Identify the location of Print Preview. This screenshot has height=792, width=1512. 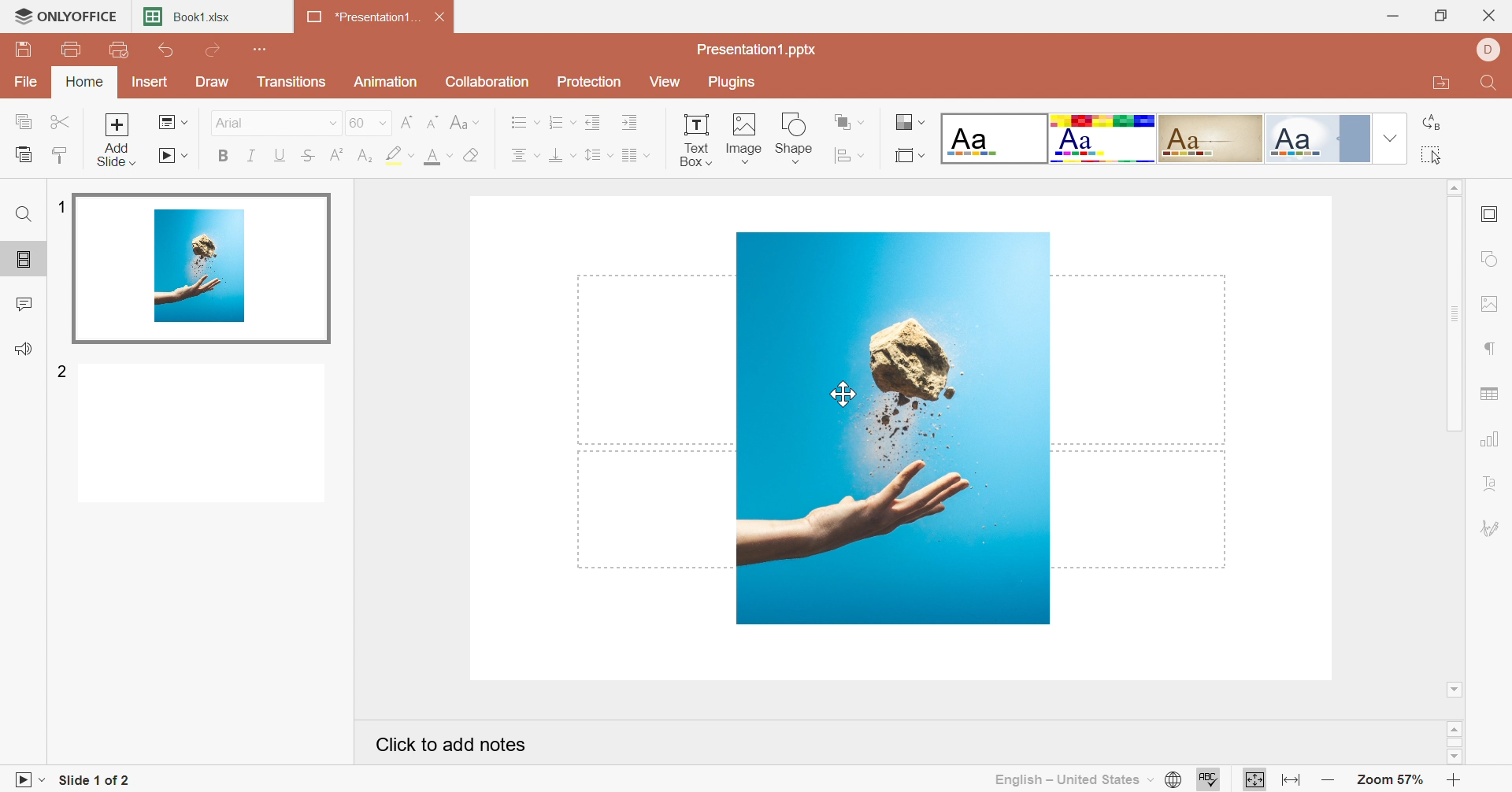
(118, 50).